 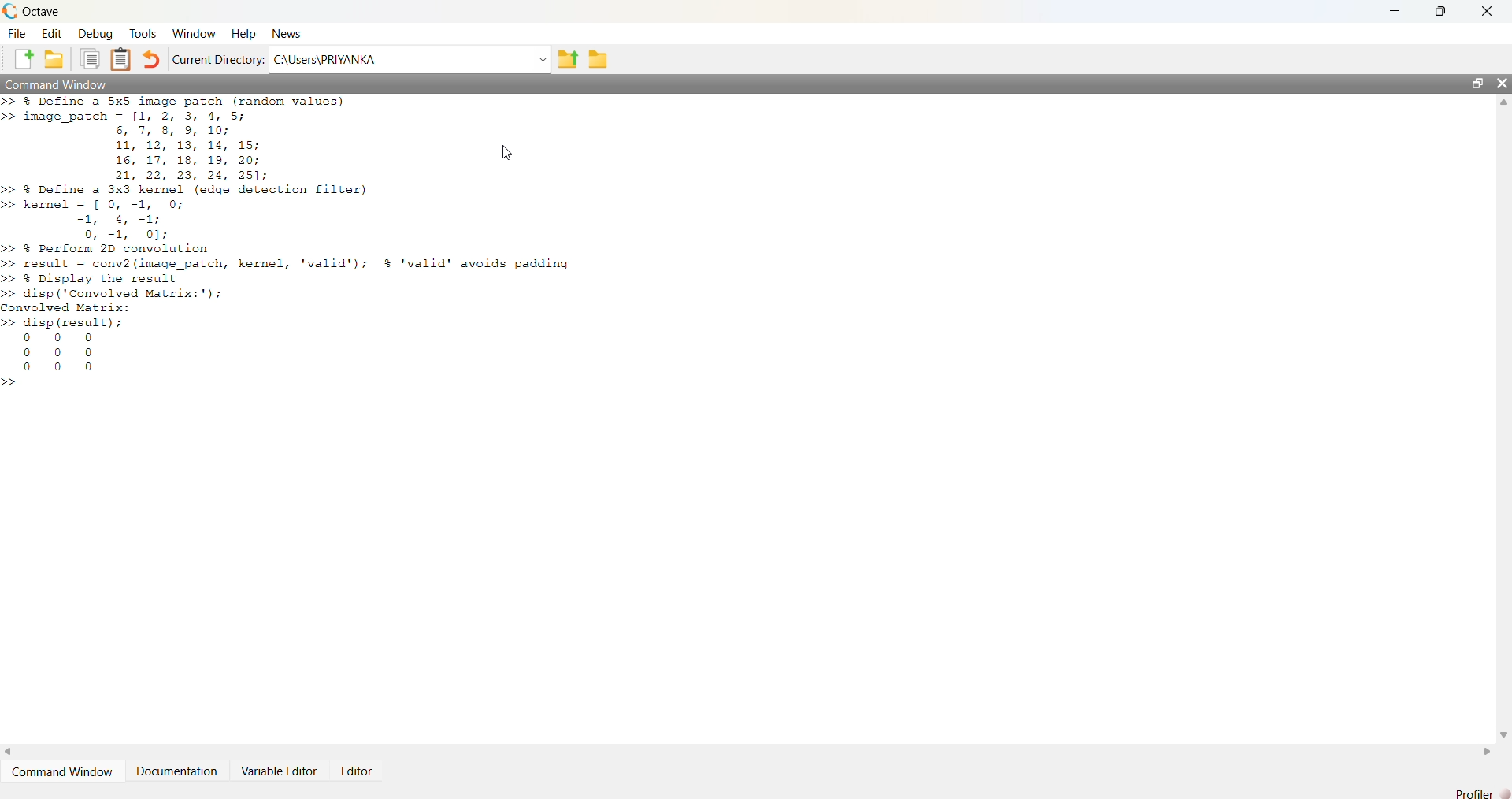 I want to click on Left, so click(x=14, y=750).